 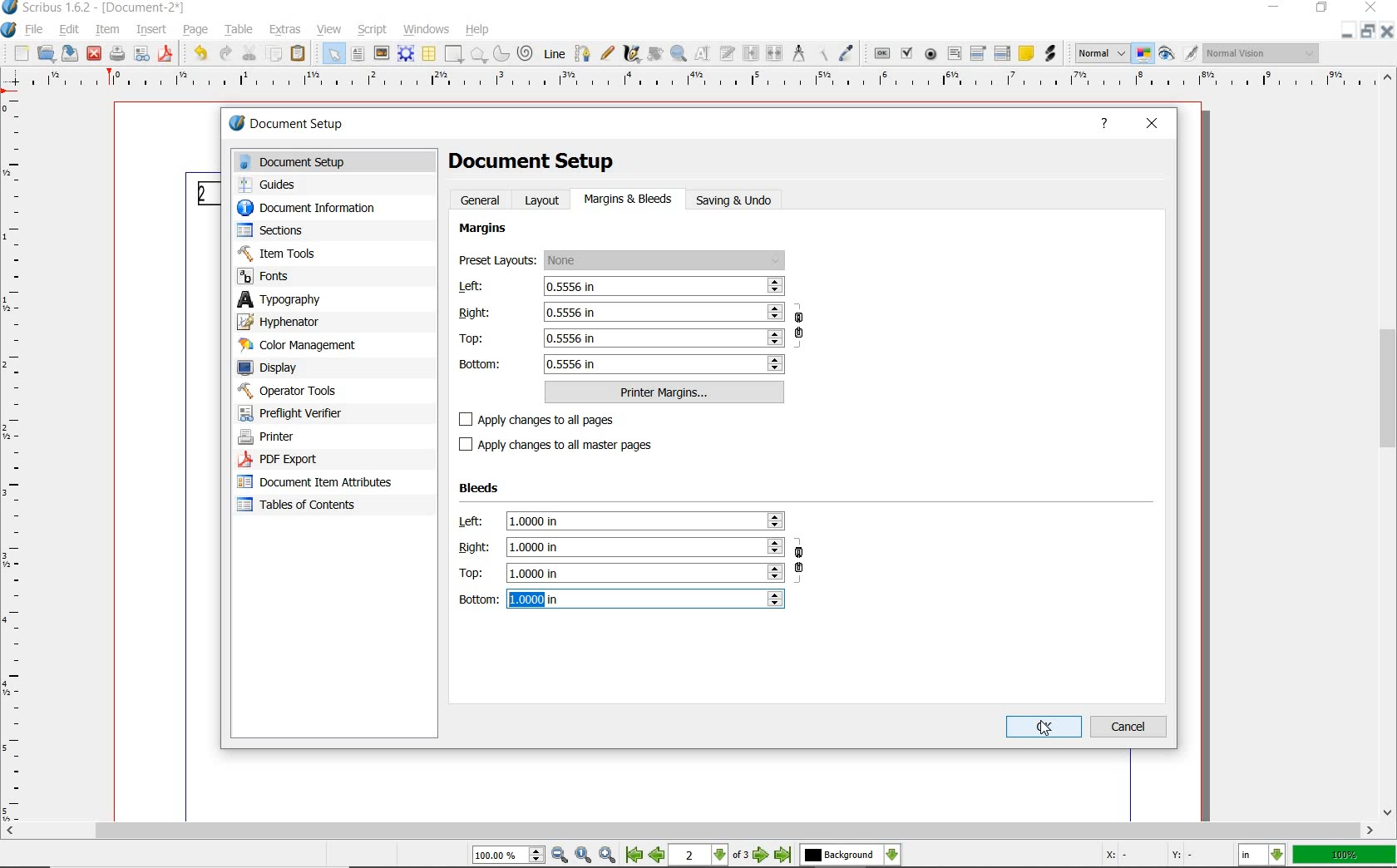 What do you see at coordinates (298, 460) in the screenshot?
I see `pdf export` at bounding box center [298, 460].